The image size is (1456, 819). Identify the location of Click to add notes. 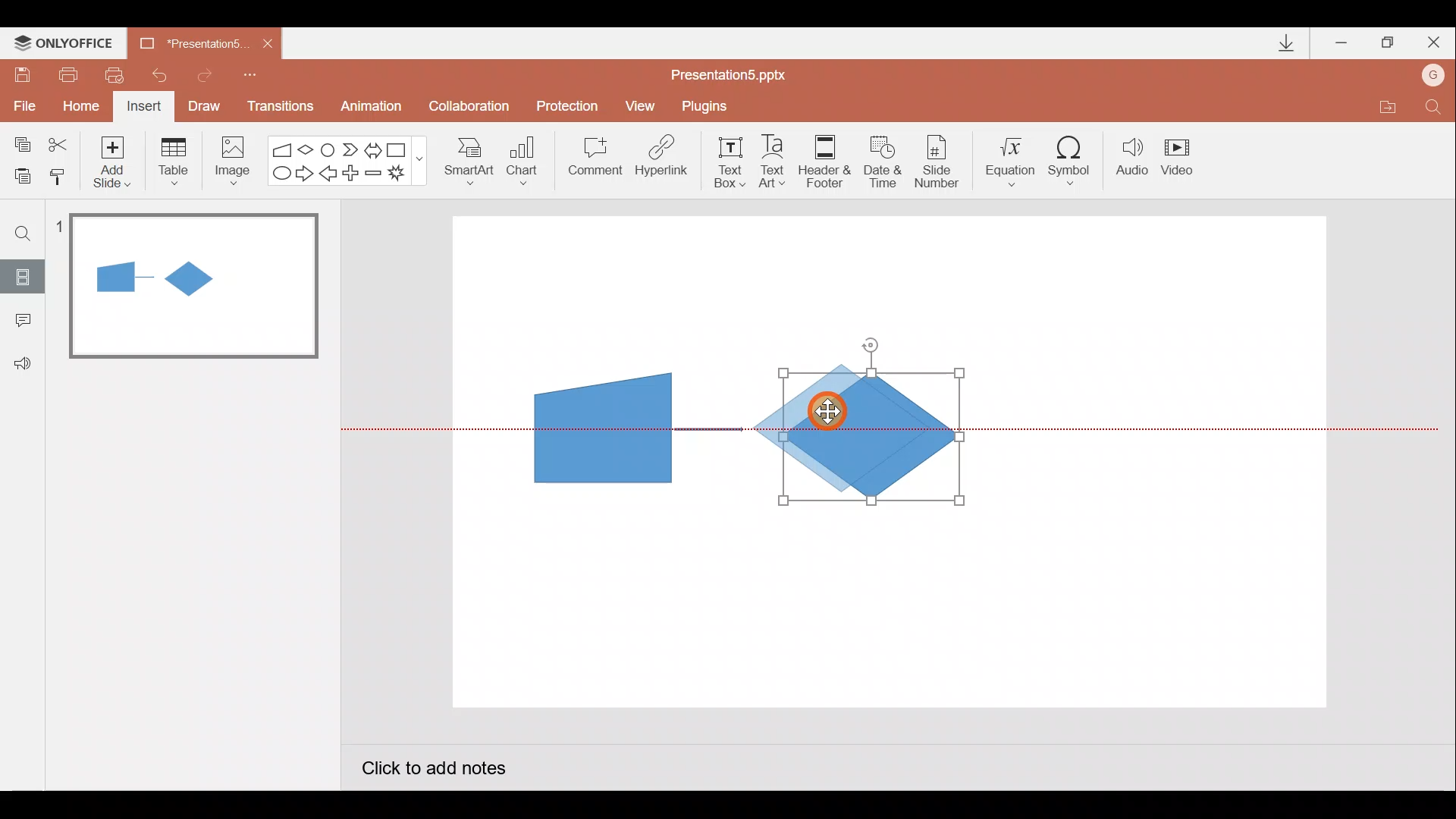
(432, 770).